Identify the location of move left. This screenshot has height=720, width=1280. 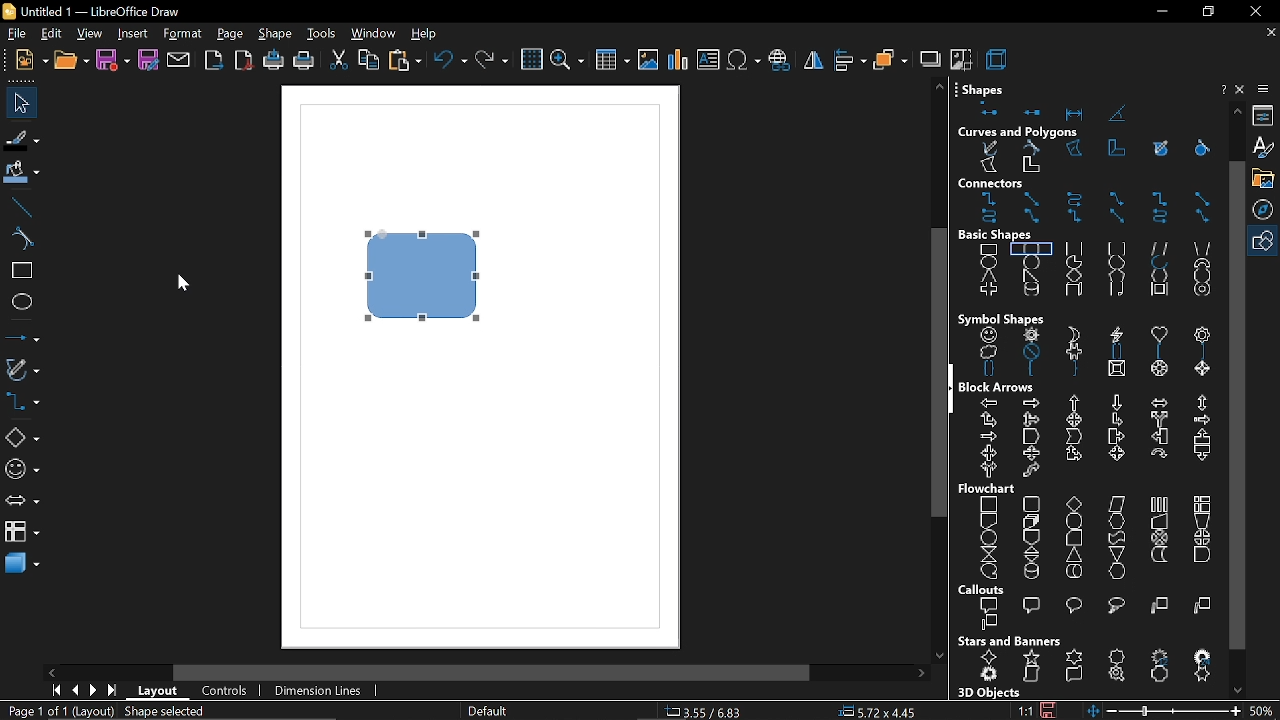
(54, 672).